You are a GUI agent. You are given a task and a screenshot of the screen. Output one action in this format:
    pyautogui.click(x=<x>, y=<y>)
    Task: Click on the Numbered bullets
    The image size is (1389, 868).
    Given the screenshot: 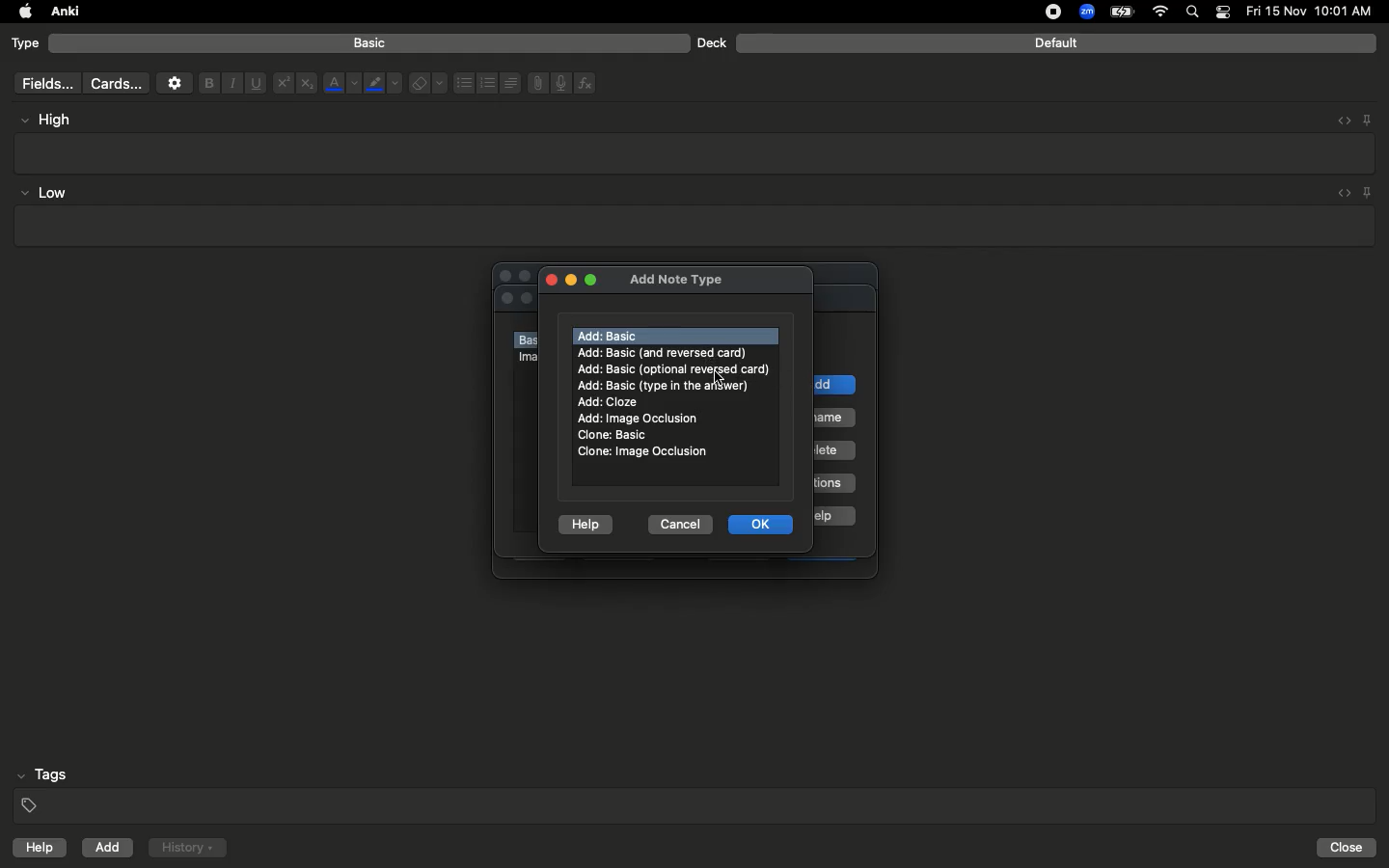 What is the action you would take?
    pyautogui.click(x=488, y=83)
    